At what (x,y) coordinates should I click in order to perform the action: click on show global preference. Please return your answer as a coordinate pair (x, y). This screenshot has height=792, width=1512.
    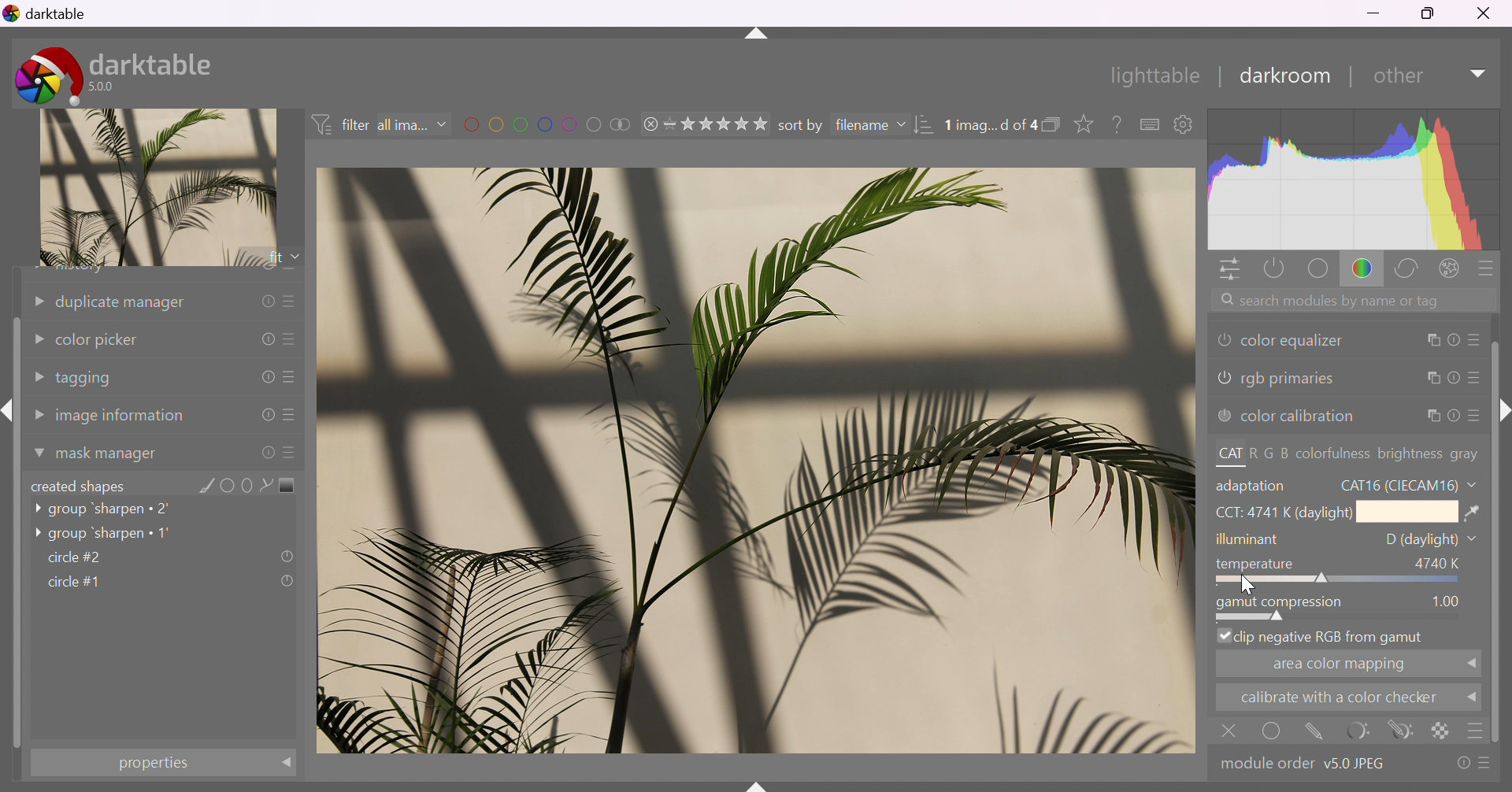
    Looking at the image, I should click on (1184, 124).